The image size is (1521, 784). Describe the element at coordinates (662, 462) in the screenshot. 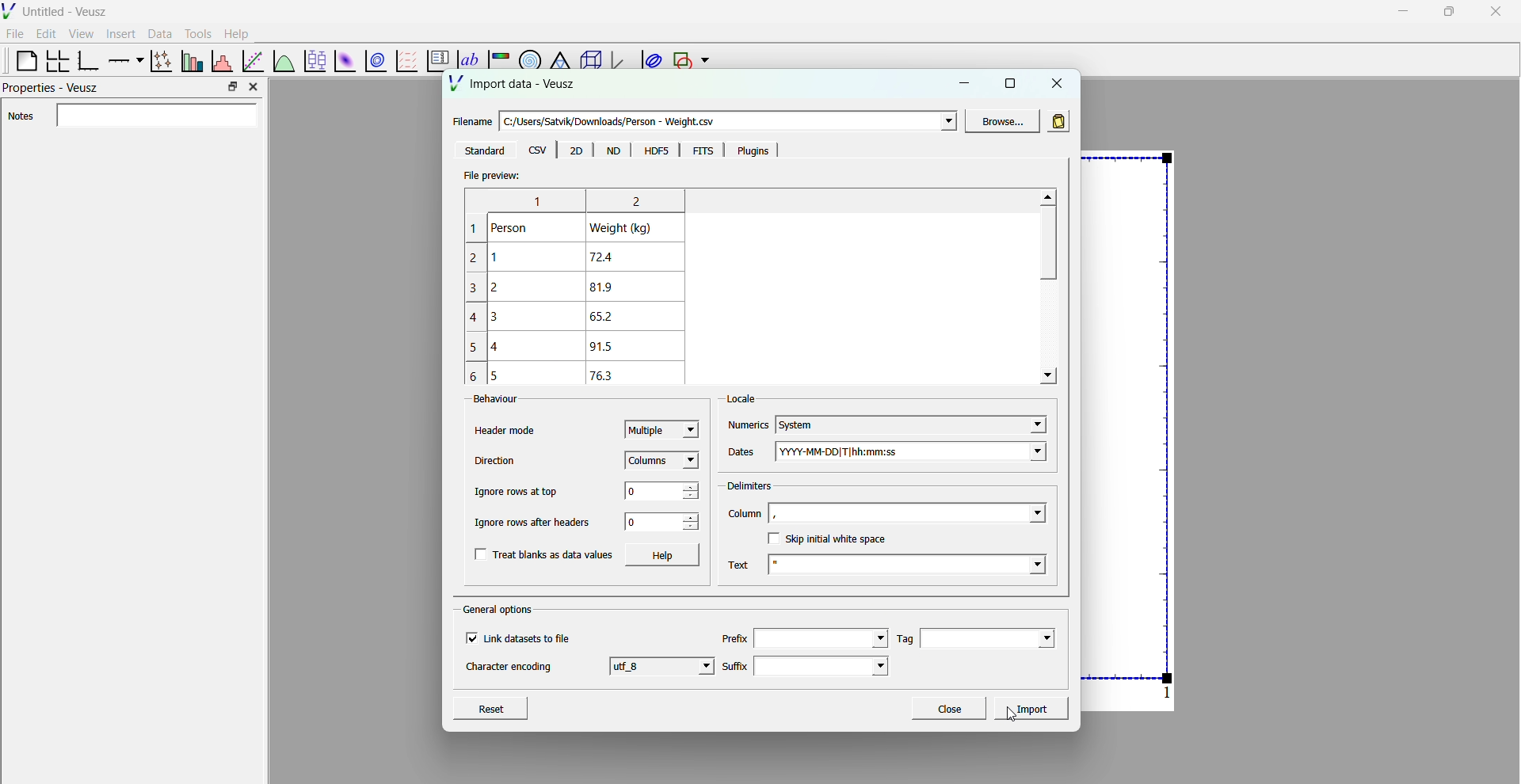

I see `Columns - dropdown` at that location.